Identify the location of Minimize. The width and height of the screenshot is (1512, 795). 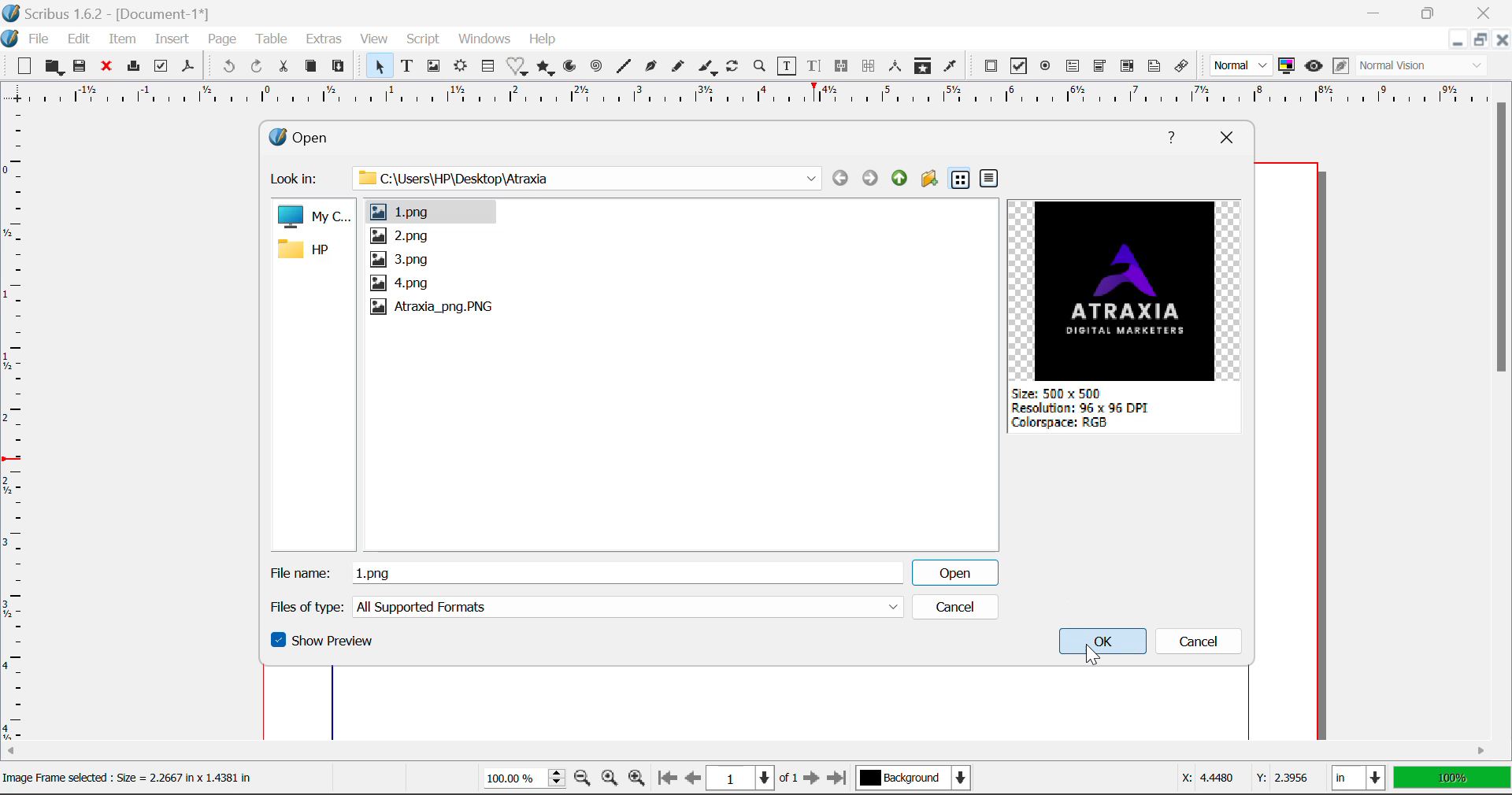
(1482, 42).